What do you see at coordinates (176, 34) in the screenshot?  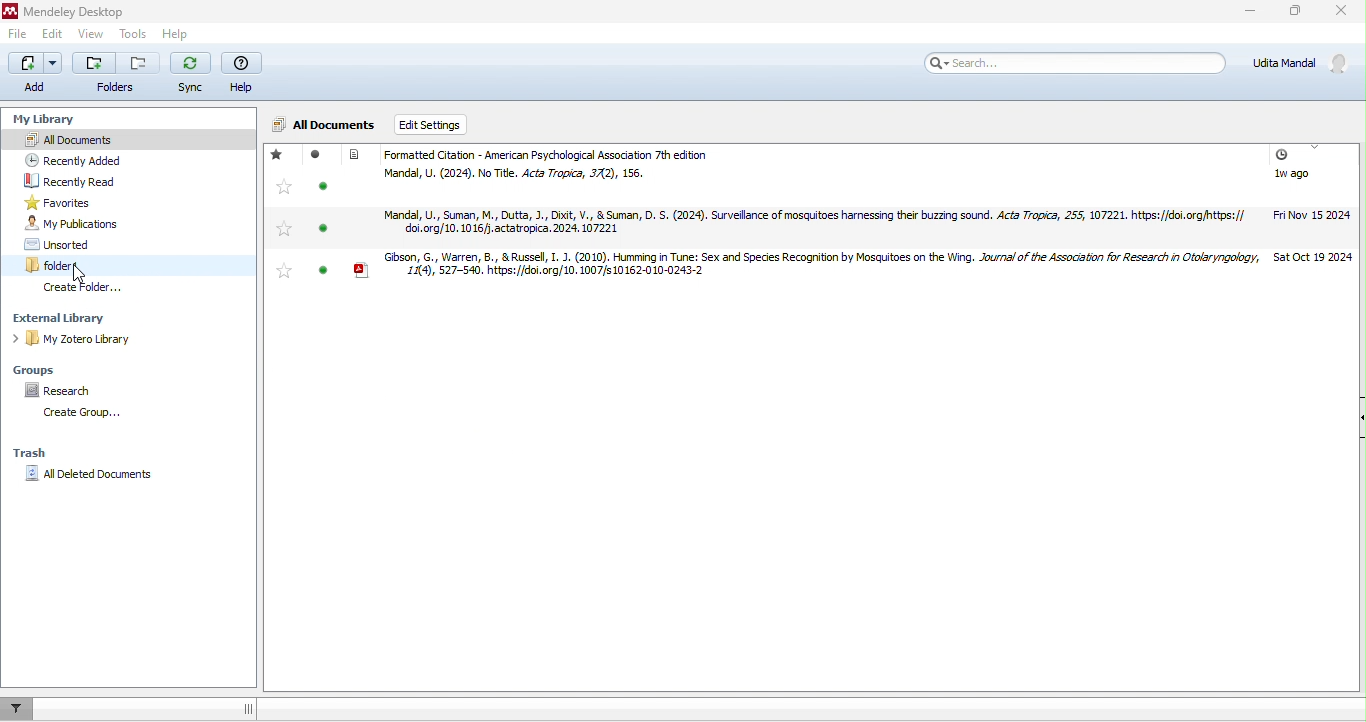 I see `help` at bounding box center [176, 34].